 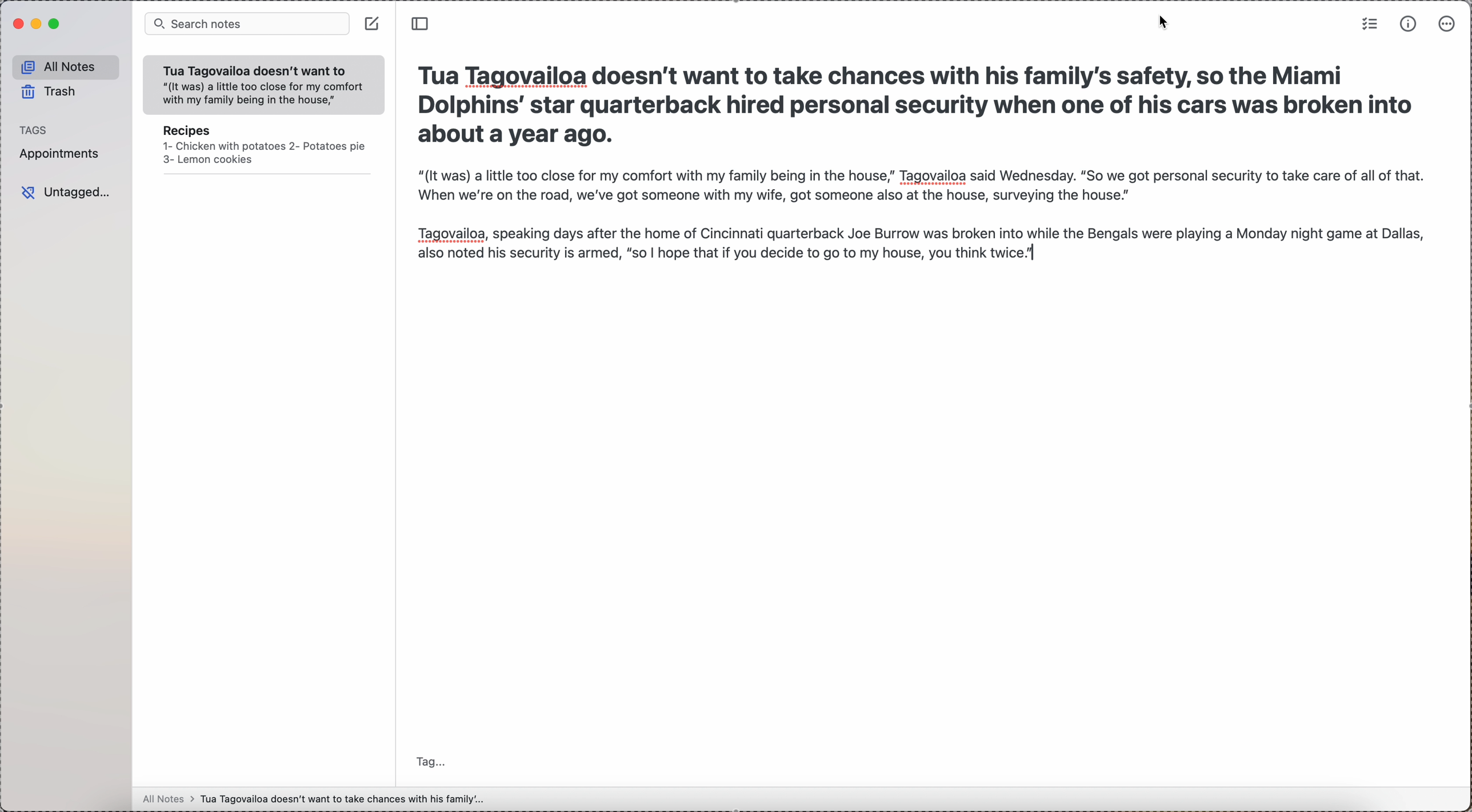 I want to click on all notes, so click(x=65, y=66).